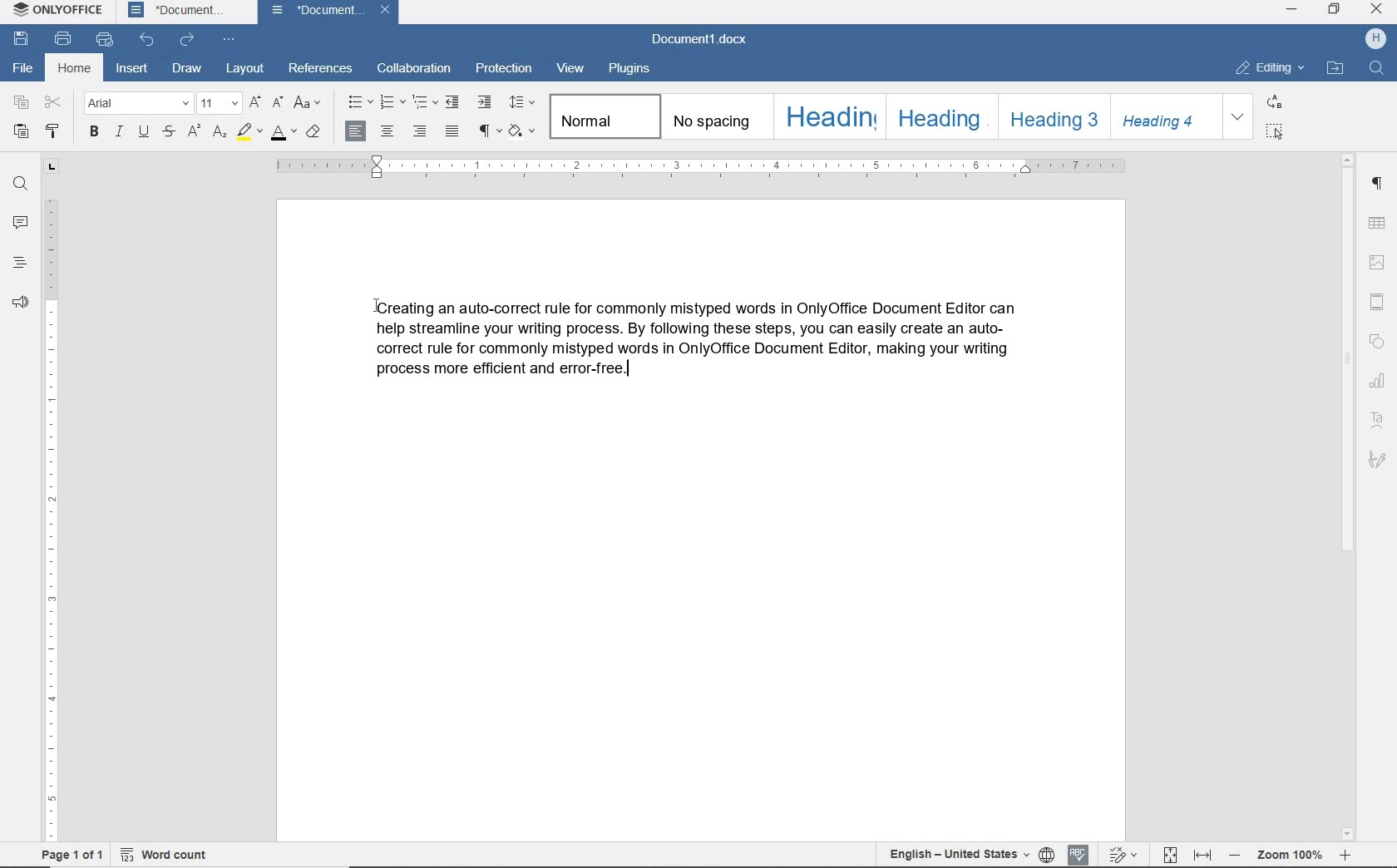 This screenshot has height=868, width=1397. Describe the element at coordinates (52, 131) in the screenshot. I see `copy style` at that location.